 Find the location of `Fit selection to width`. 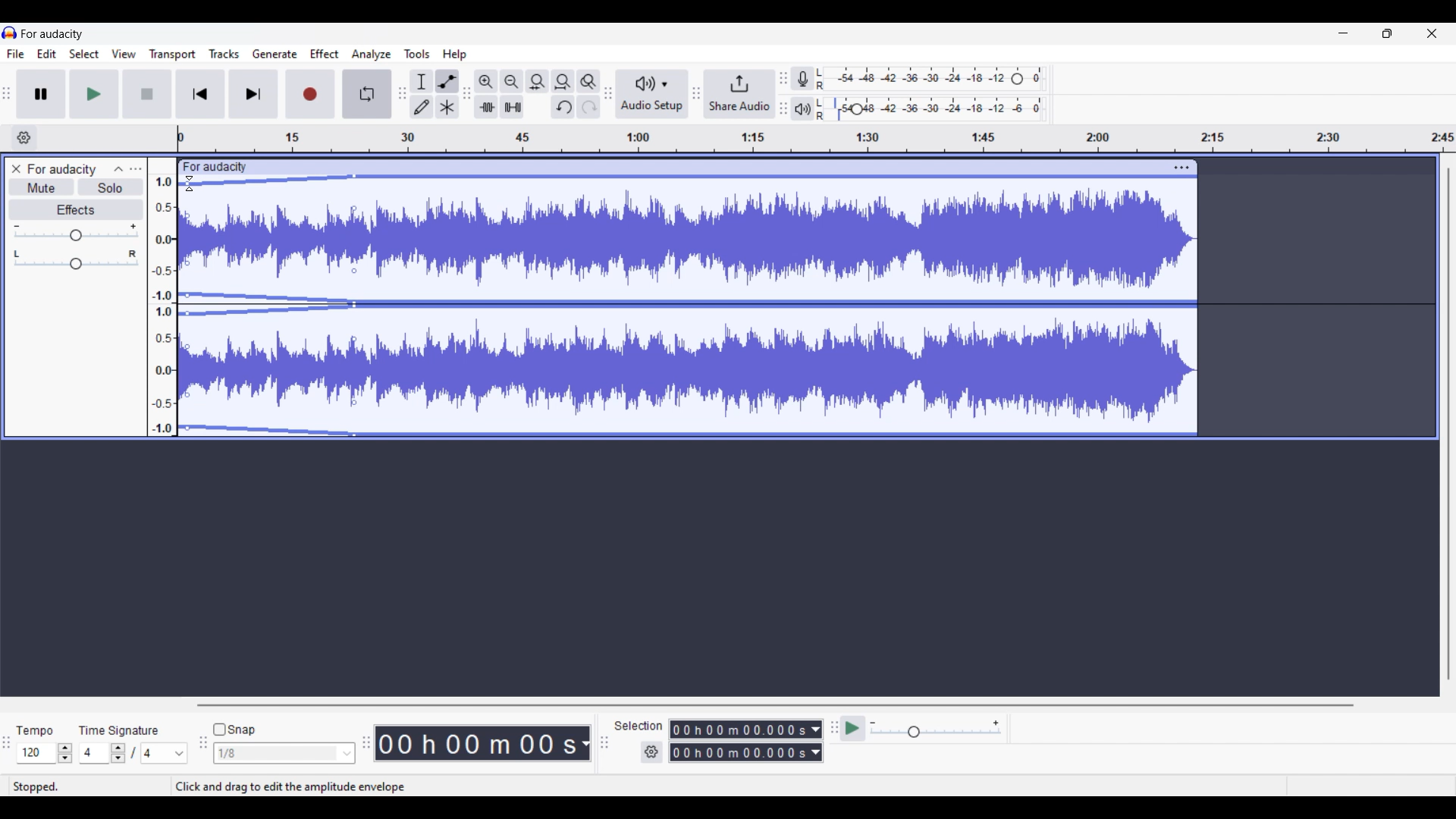

Fit selection to width is located at coordinates (538, 81).